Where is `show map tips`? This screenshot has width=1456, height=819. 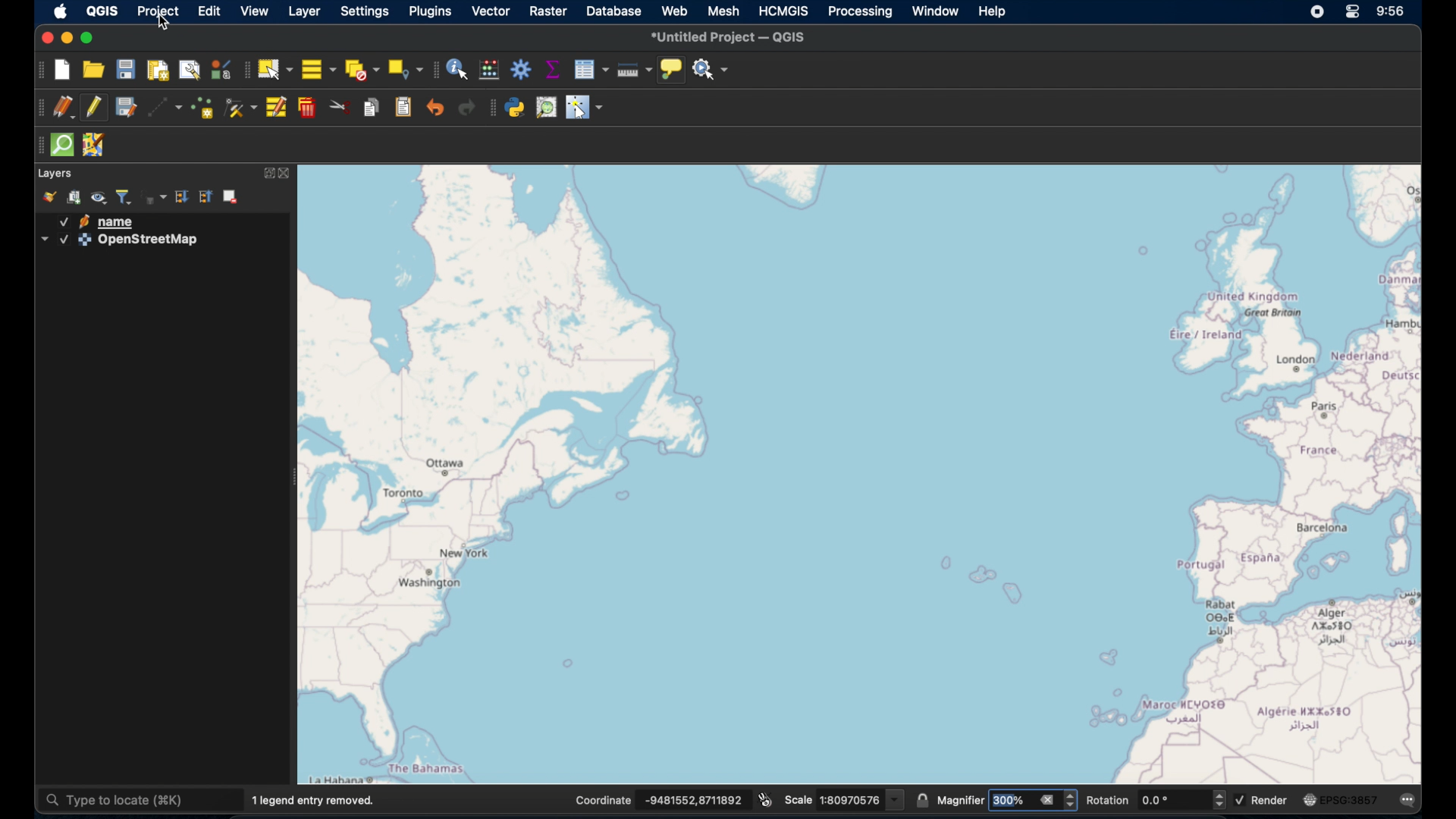 show map tips is located at coordinates (673, 70).